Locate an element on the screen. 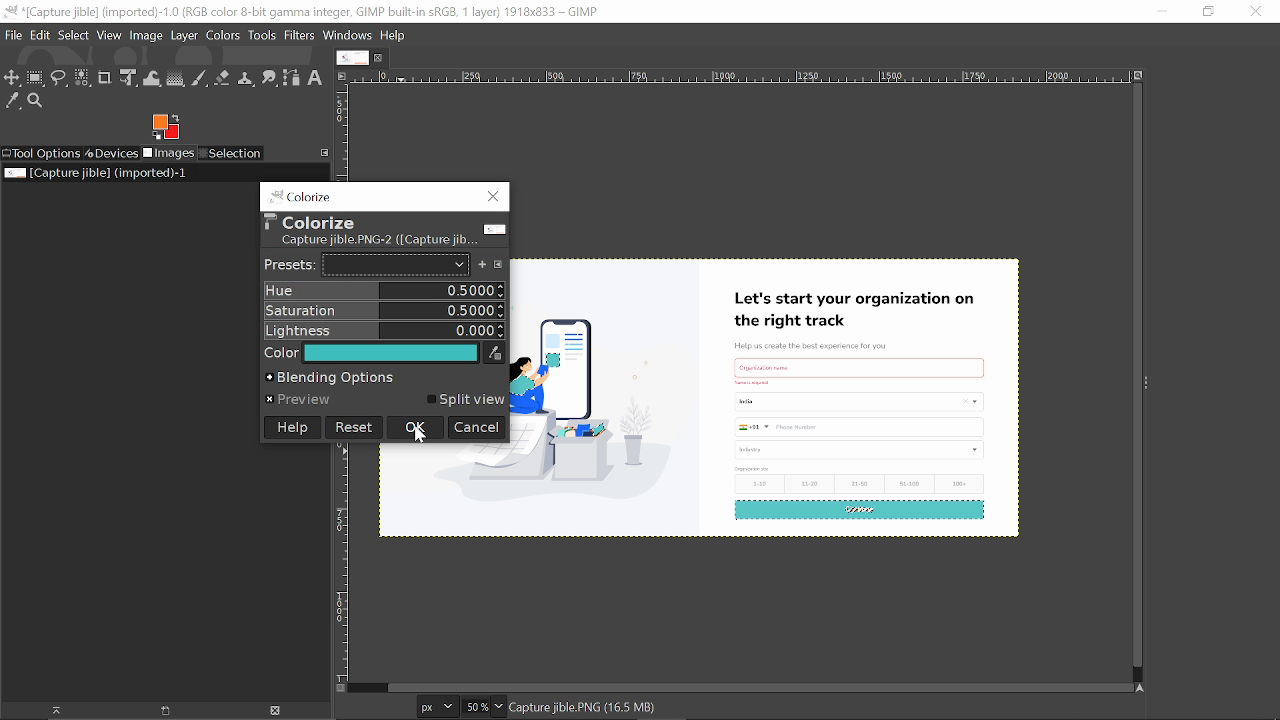 This screenshot has width=1280, height=720. Image is located at coordinates (147, 36).